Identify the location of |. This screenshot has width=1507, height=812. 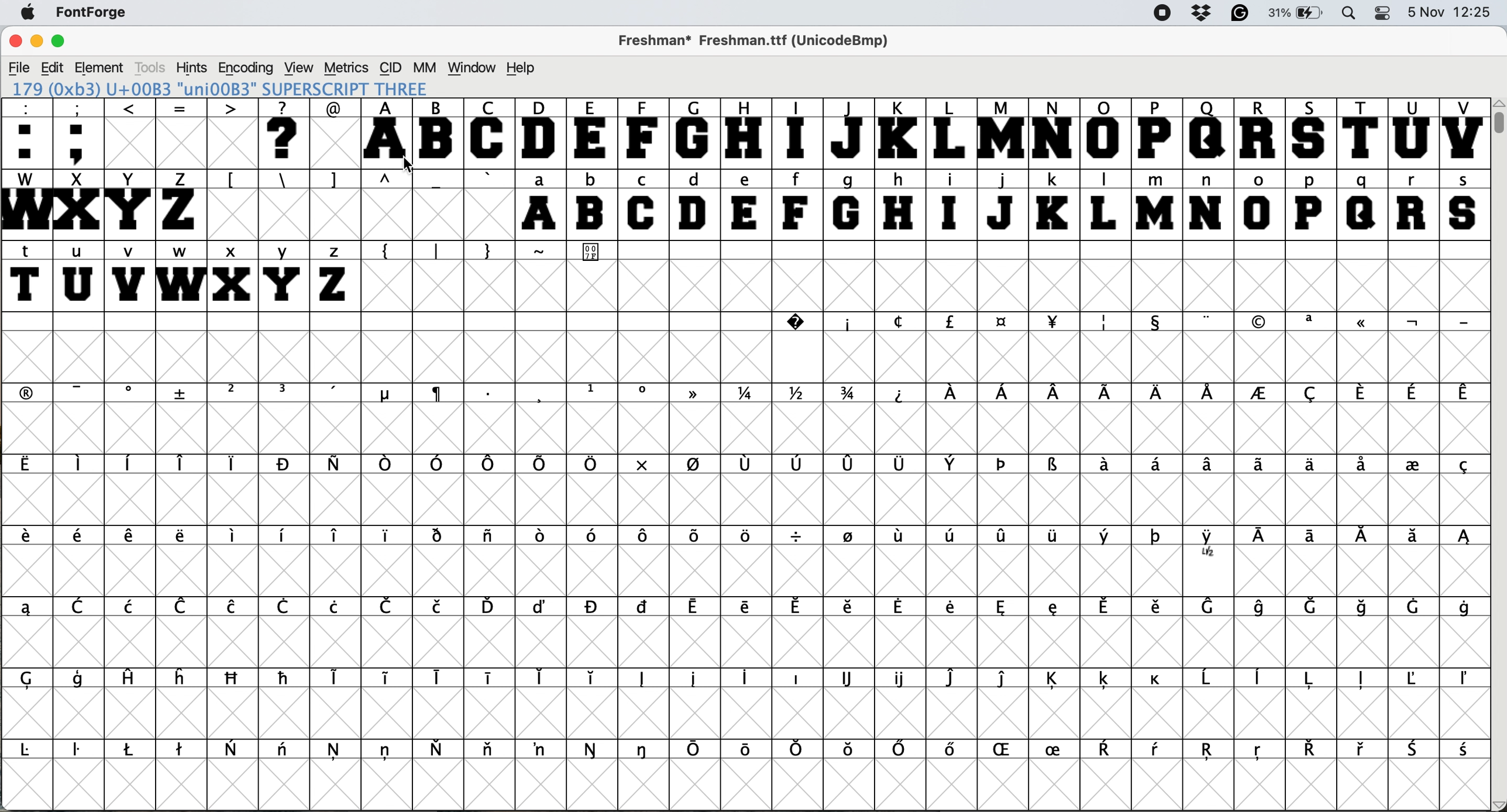
(438, 249).